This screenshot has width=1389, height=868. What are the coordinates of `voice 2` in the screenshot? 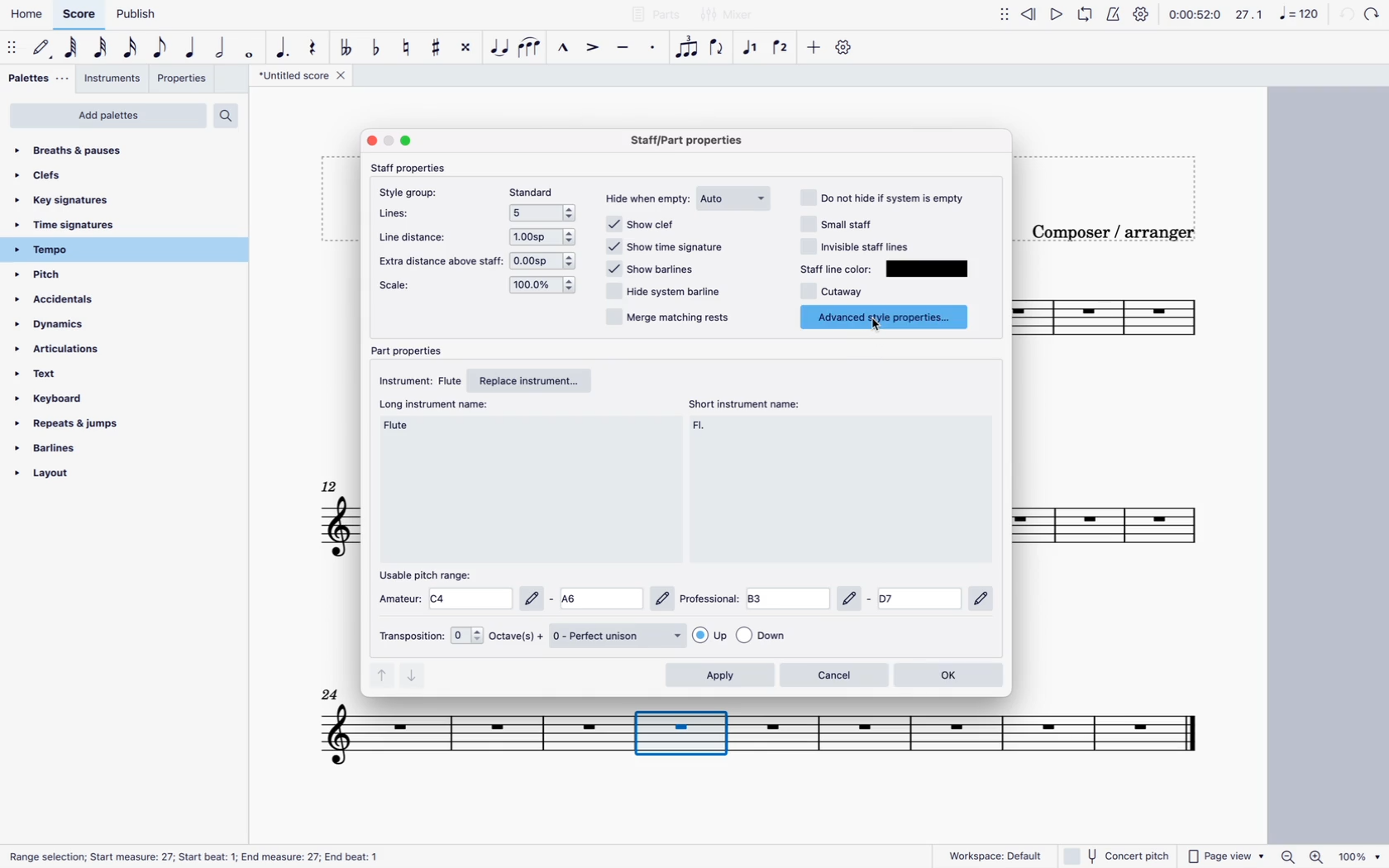 It's located at (787, 45).